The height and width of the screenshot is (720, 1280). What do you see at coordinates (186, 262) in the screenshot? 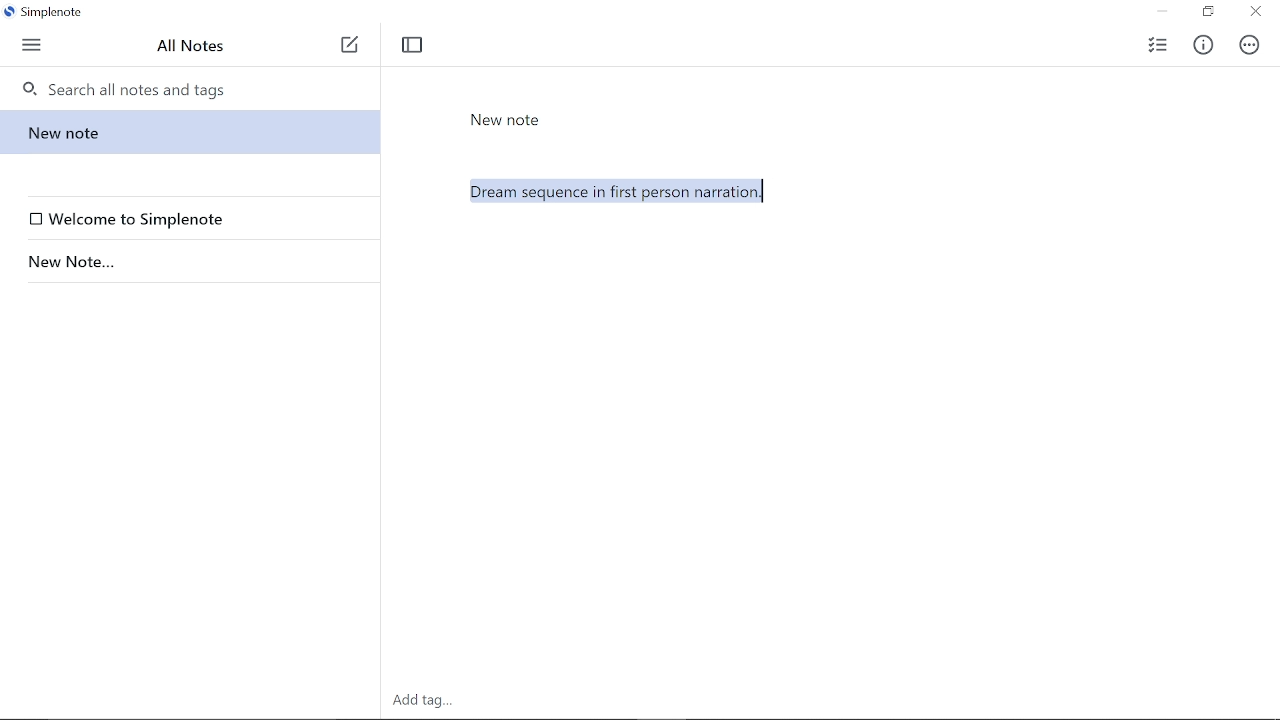
I see `New Note...` at bounding box center [186, 262].